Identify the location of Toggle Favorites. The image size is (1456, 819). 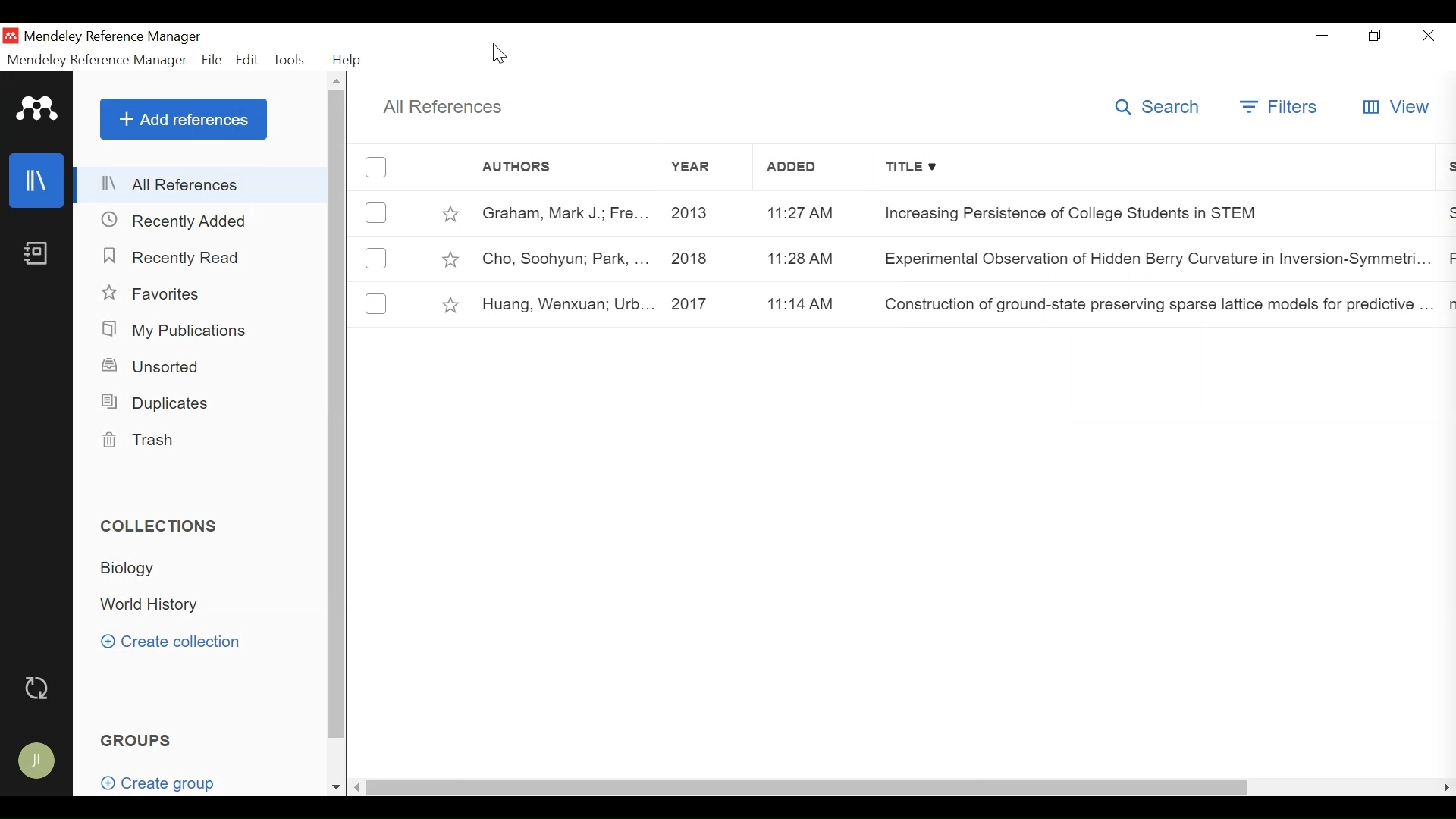
(450, 304).